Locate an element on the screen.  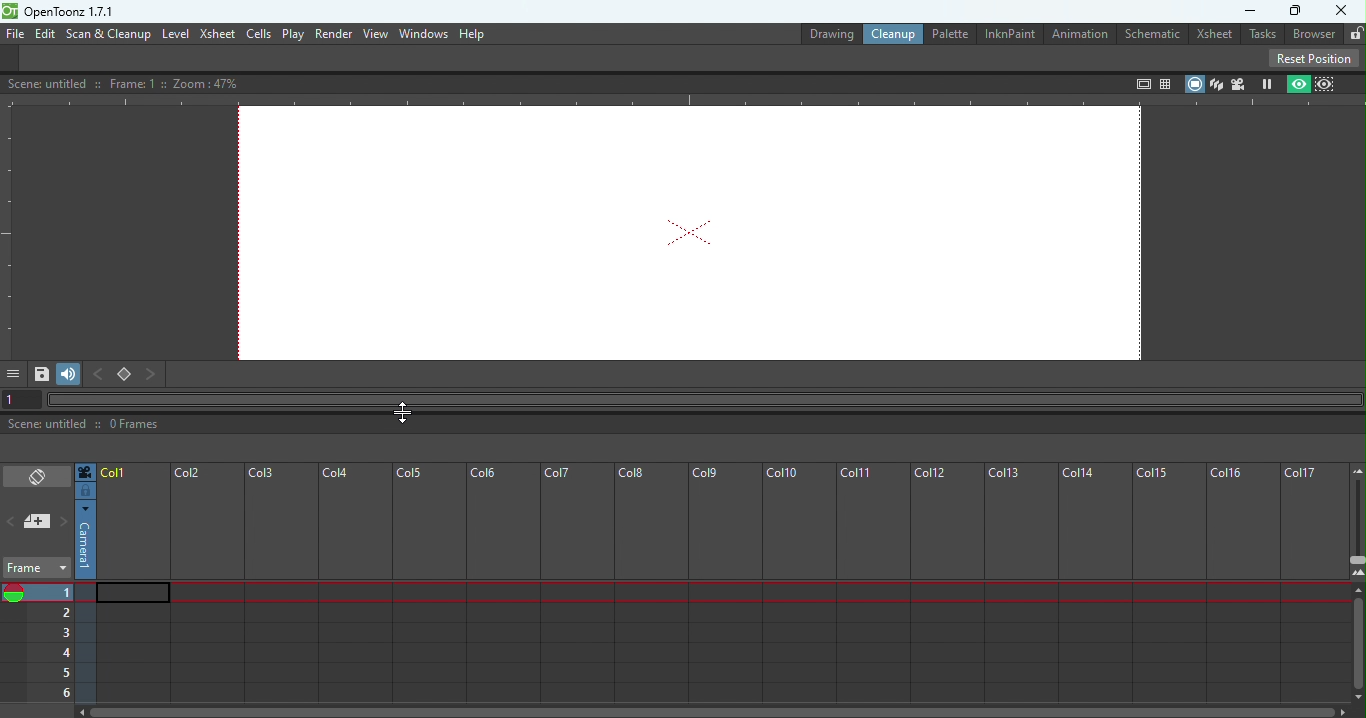
Soundtrack is located at coordinates (67, 374).